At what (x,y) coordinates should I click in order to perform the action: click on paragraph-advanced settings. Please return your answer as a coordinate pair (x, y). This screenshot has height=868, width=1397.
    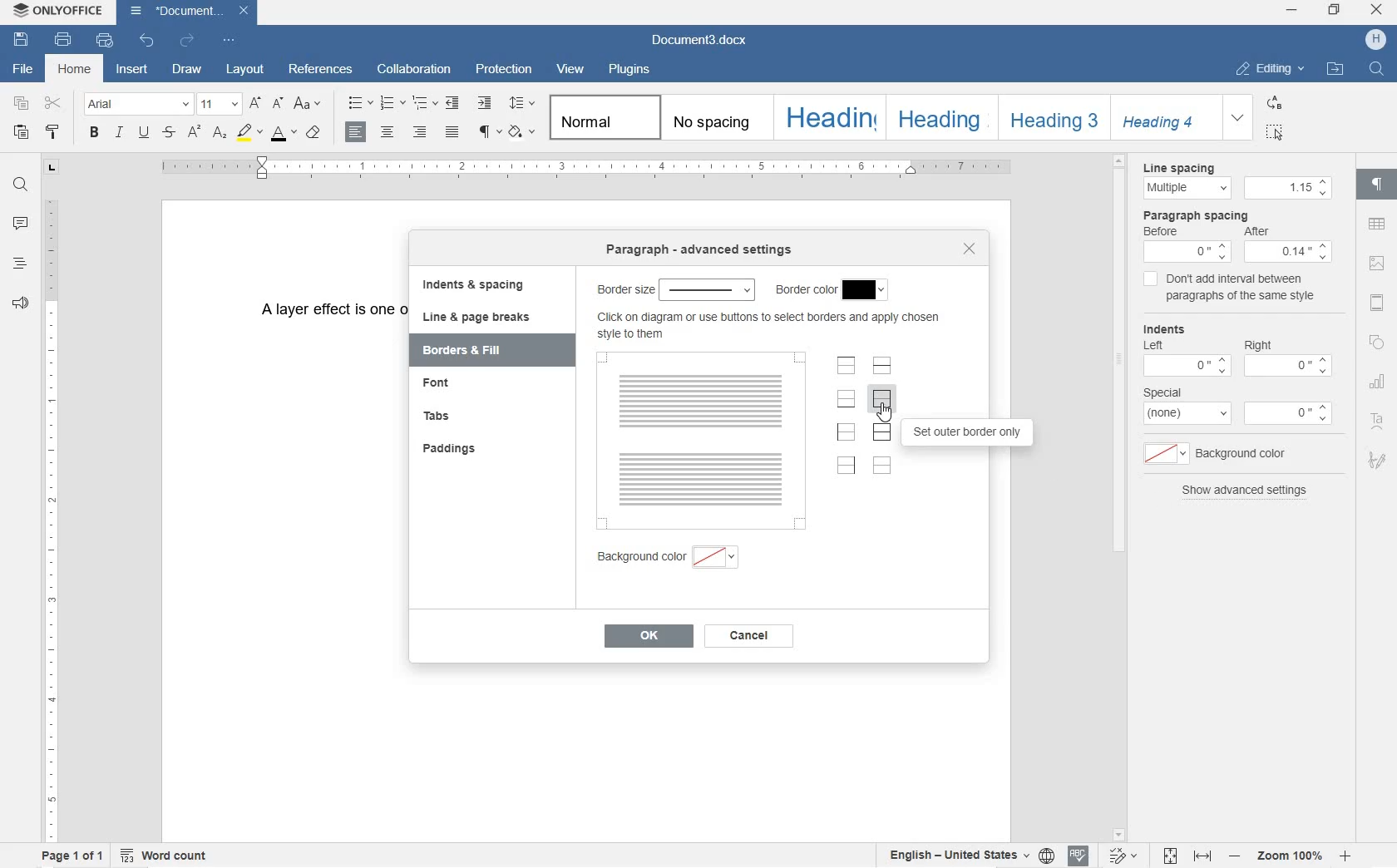
    Looking at the image, I should click on (701, 252).